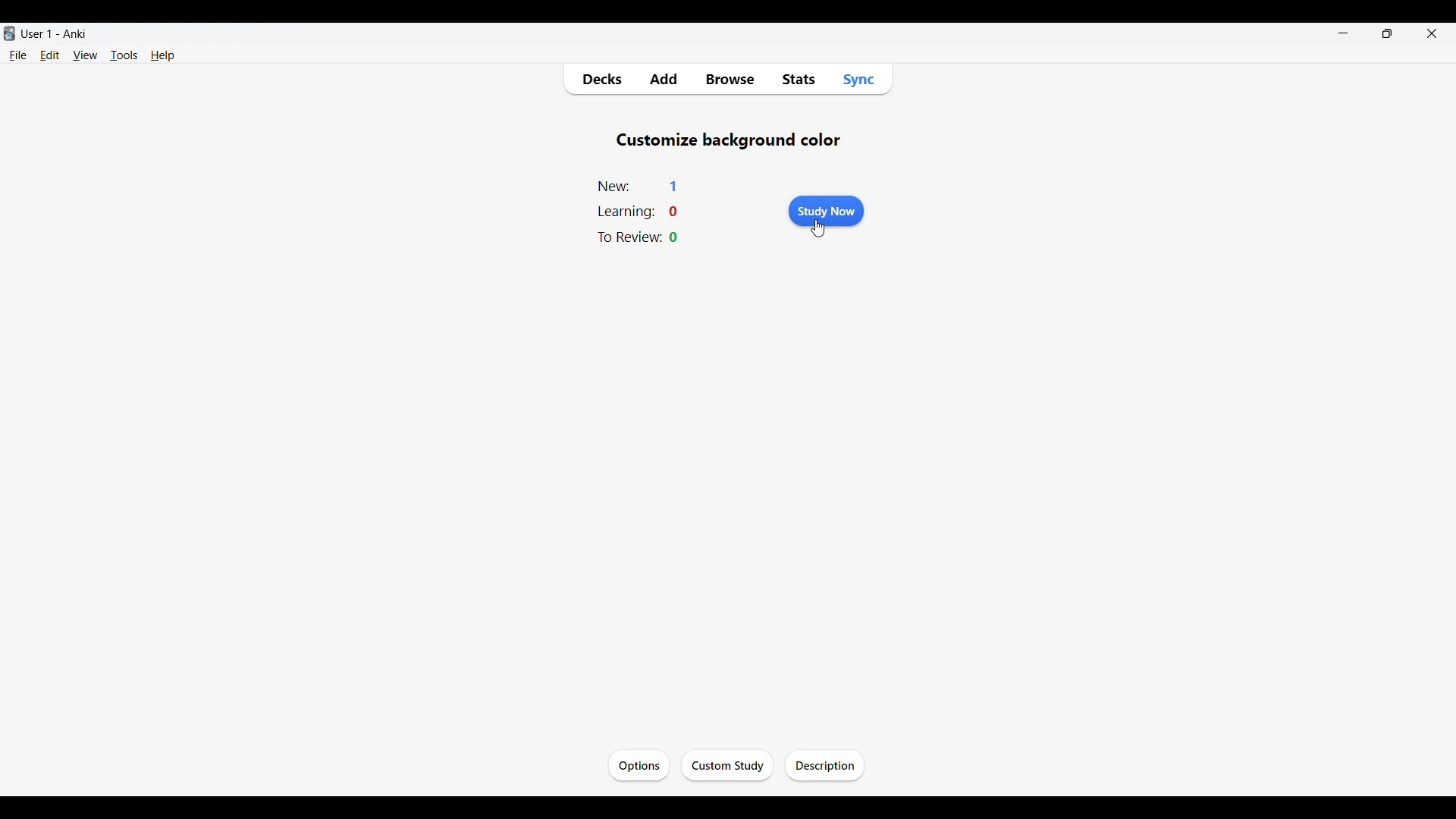 The height and width of the screenshot is (819, 1456). I want to click on Software logo, so click(9, 33).